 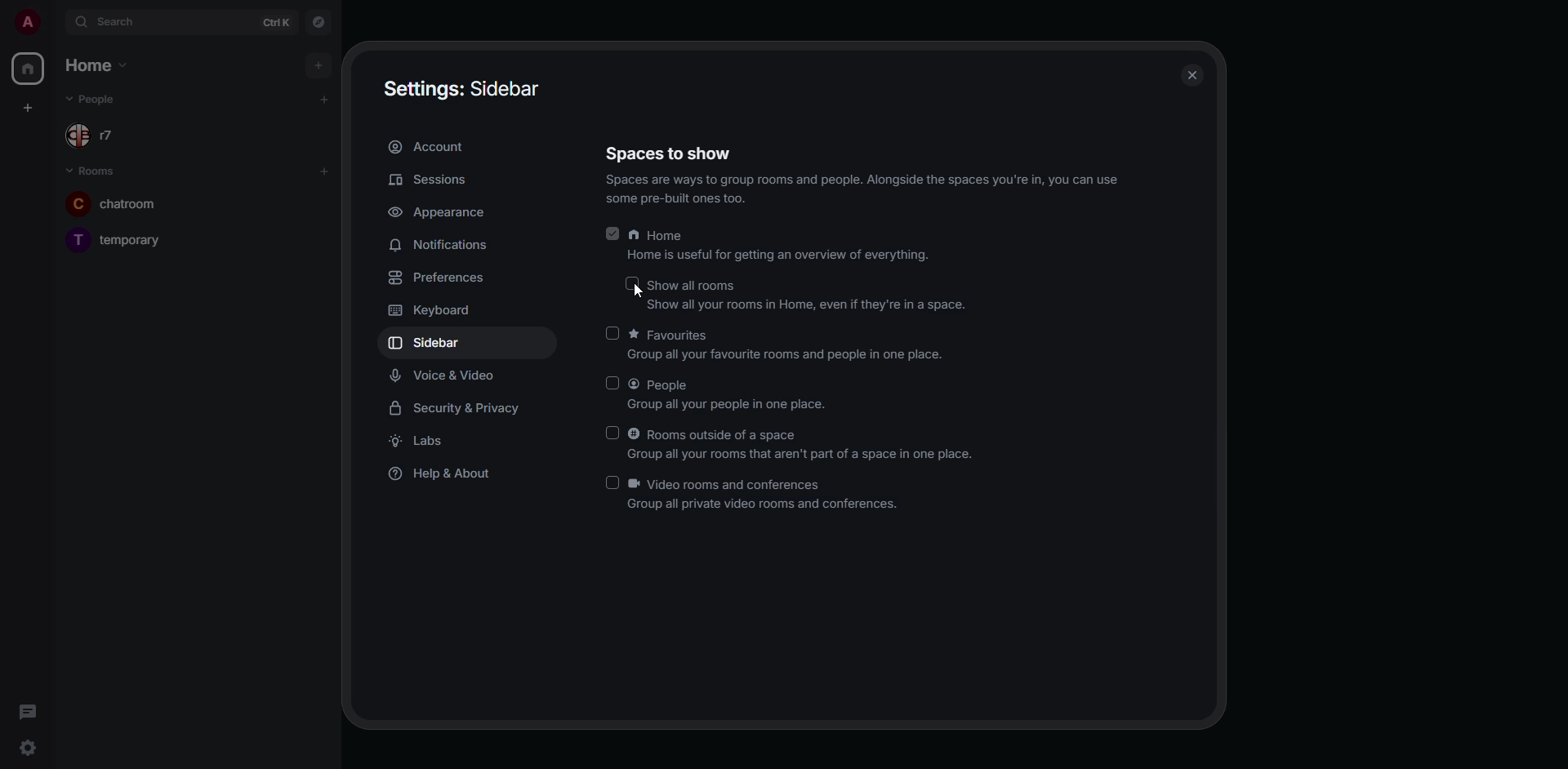 I want to click on profile, so click(x=25, y=24).